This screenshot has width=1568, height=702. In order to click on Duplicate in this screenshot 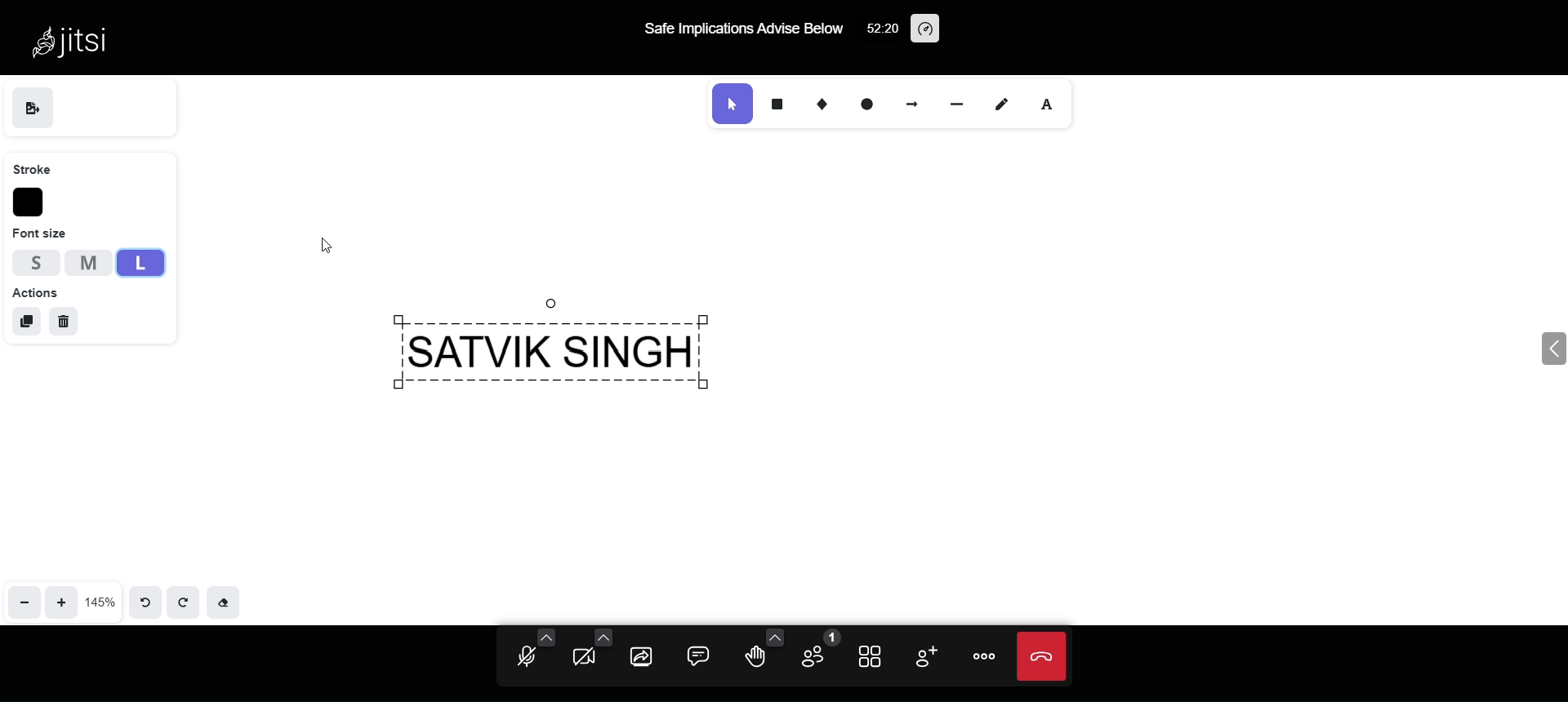, I will do `click(24, 319)`.